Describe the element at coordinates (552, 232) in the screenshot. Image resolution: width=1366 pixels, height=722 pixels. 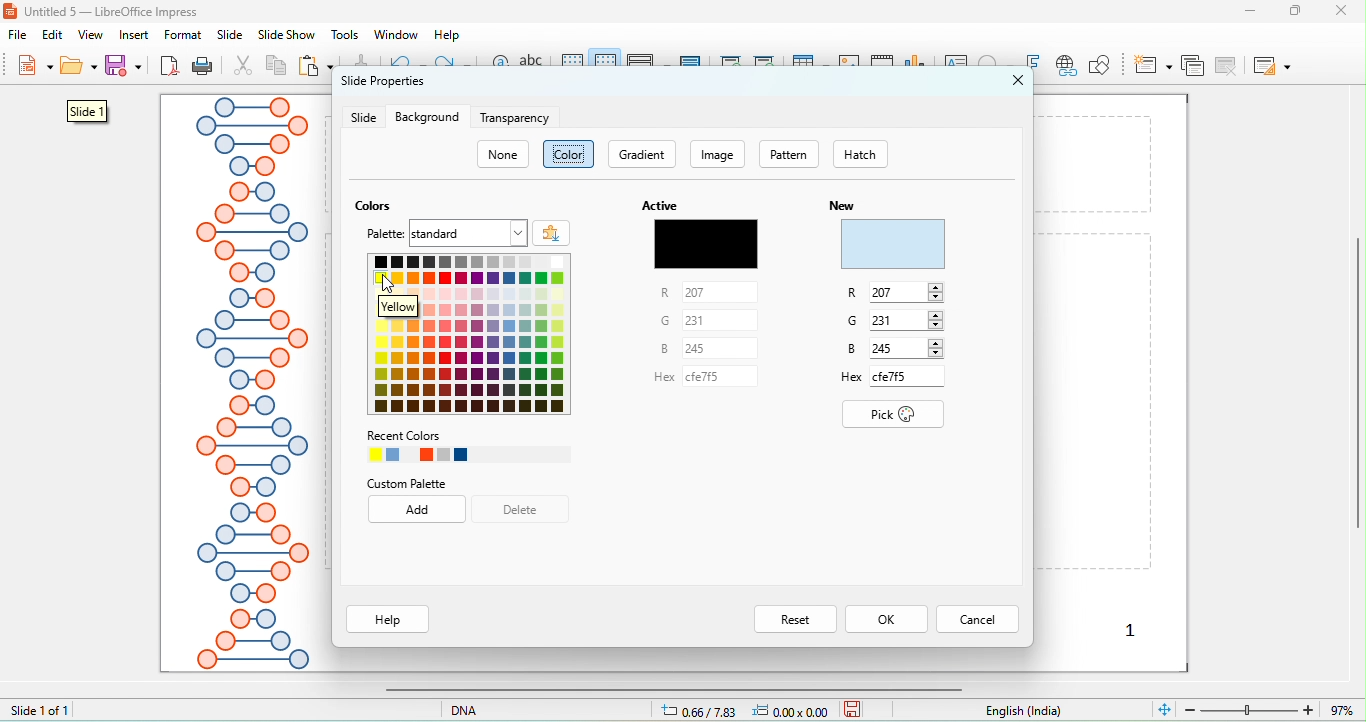
I see `add colors` at that location.